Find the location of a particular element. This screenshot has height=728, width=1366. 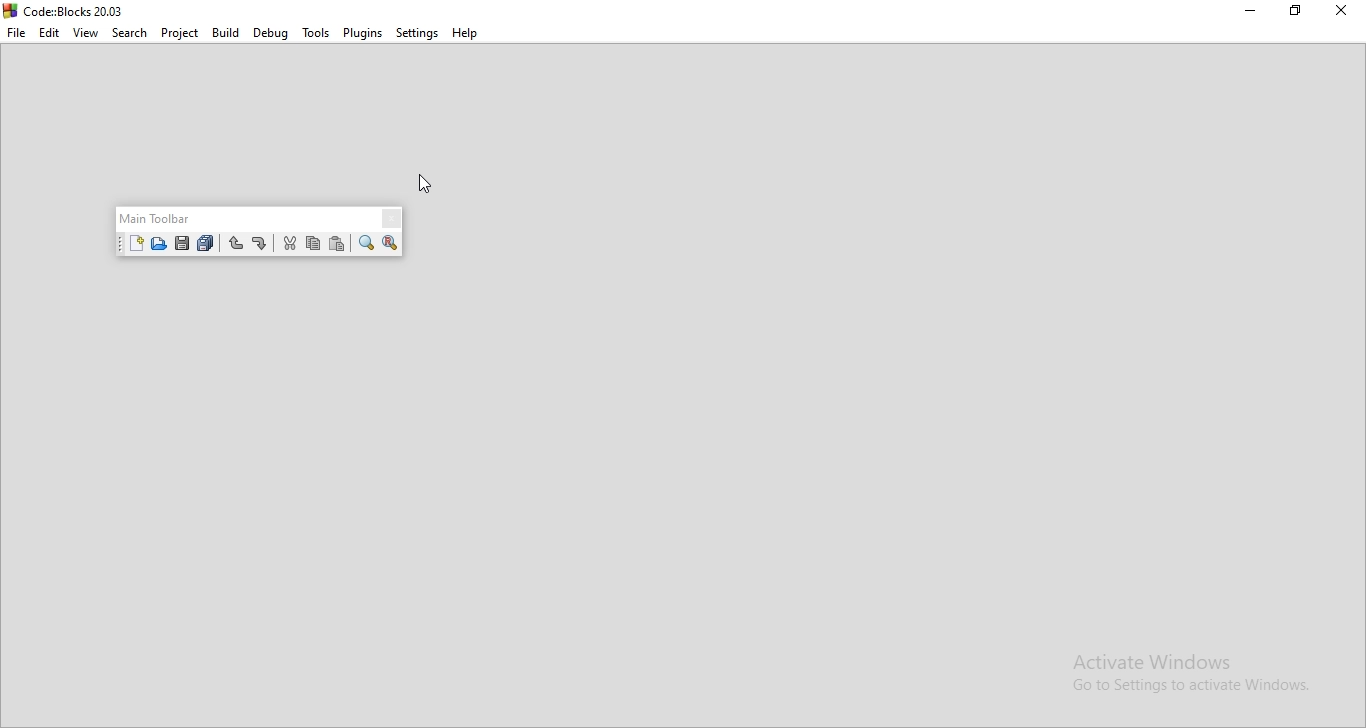

Minimise is located at coordinates (1254, 11).